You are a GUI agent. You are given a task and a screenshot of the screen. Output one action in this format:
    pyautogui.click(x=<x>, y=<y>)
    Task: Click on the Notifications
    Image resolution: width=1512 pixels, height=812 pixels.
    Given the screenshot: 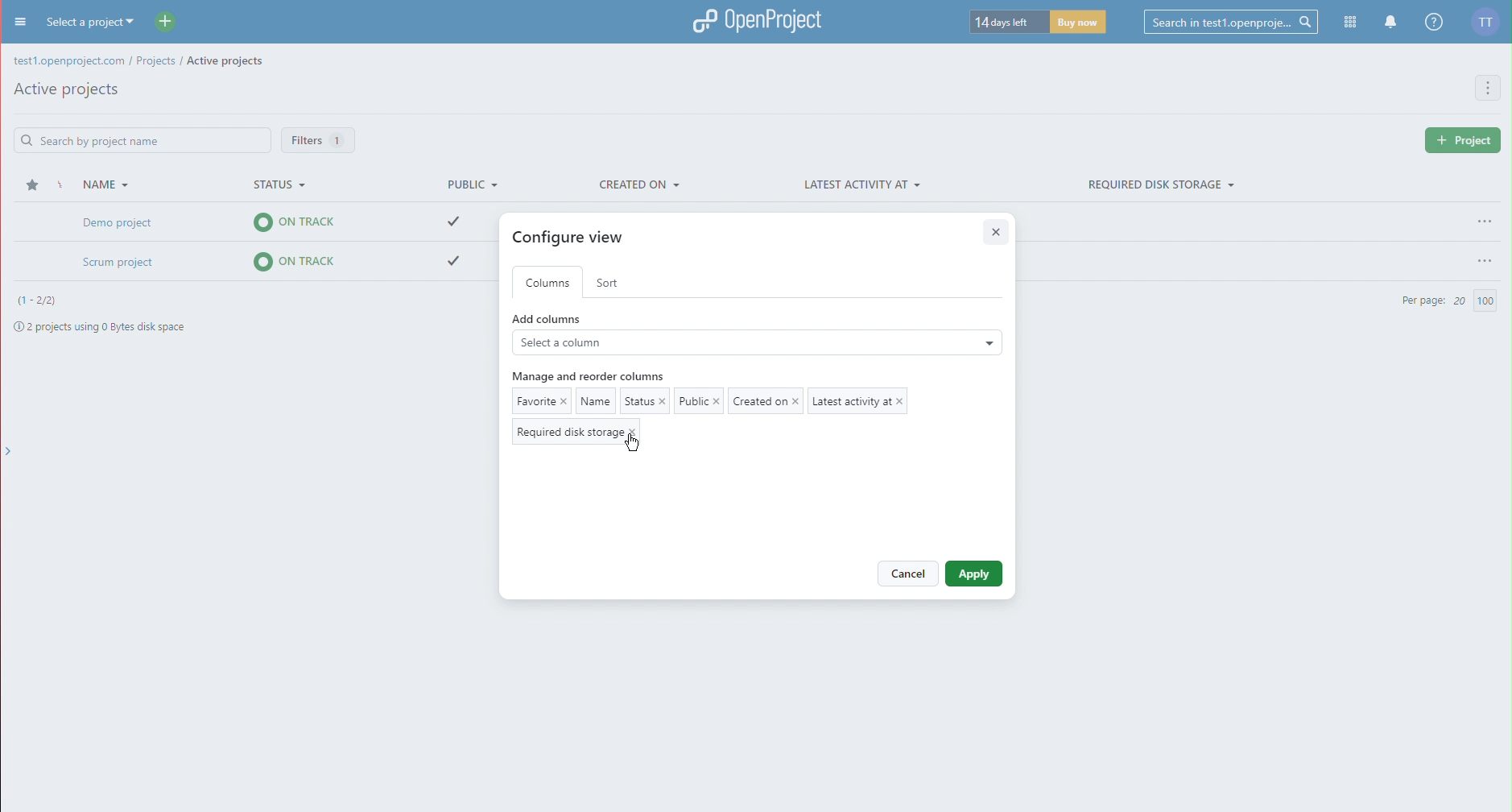 What is the action you would take?
    pyautogui.click(x=1389, y=23)
    